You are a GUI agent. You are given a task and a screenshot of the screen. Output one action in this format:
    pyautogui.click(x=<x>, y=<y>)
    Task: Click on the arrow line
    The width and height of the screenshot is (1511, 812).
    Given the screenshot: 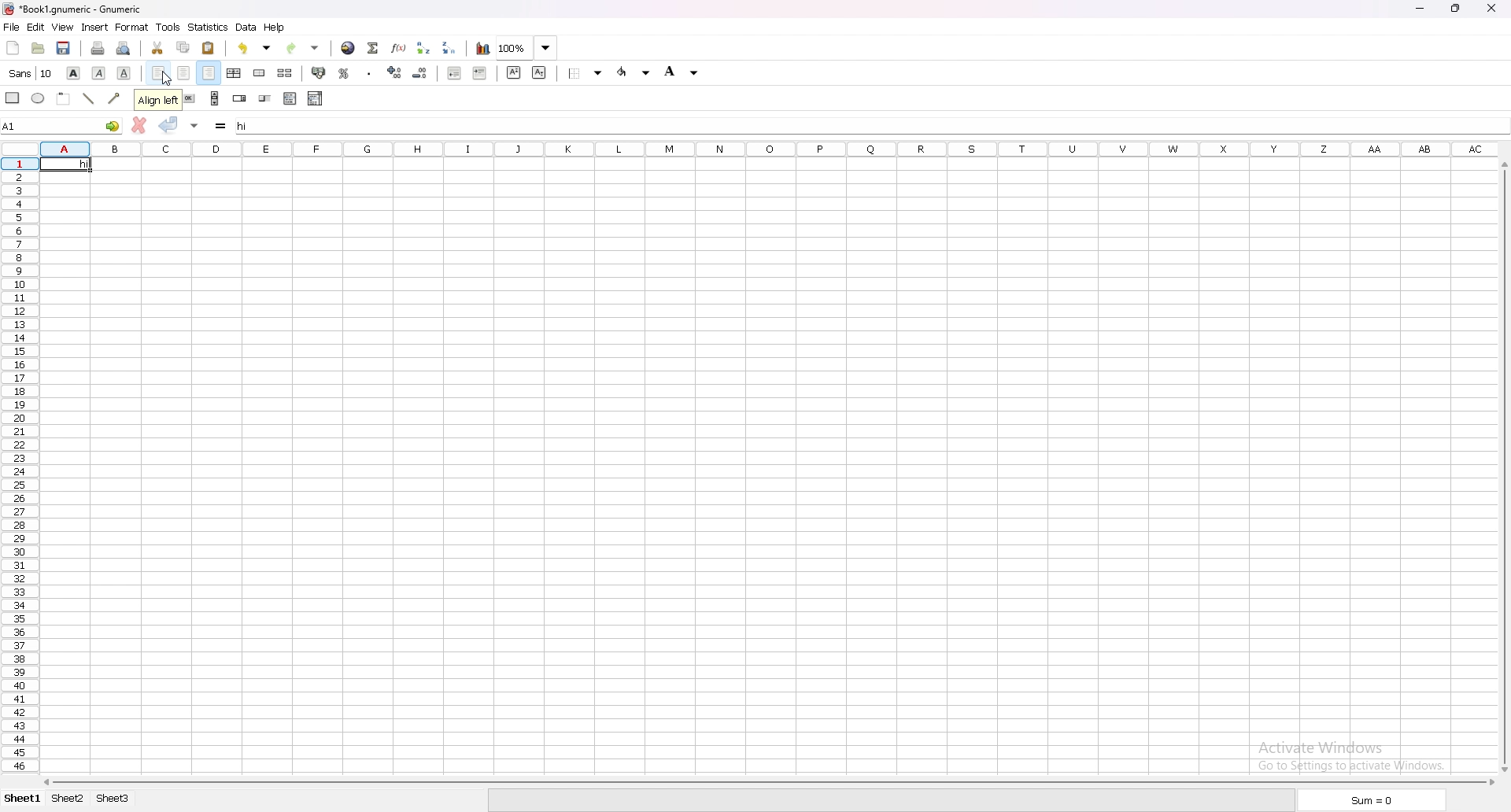 What is the action you would take?
    pyautogui.click(x=116, y=98)
    